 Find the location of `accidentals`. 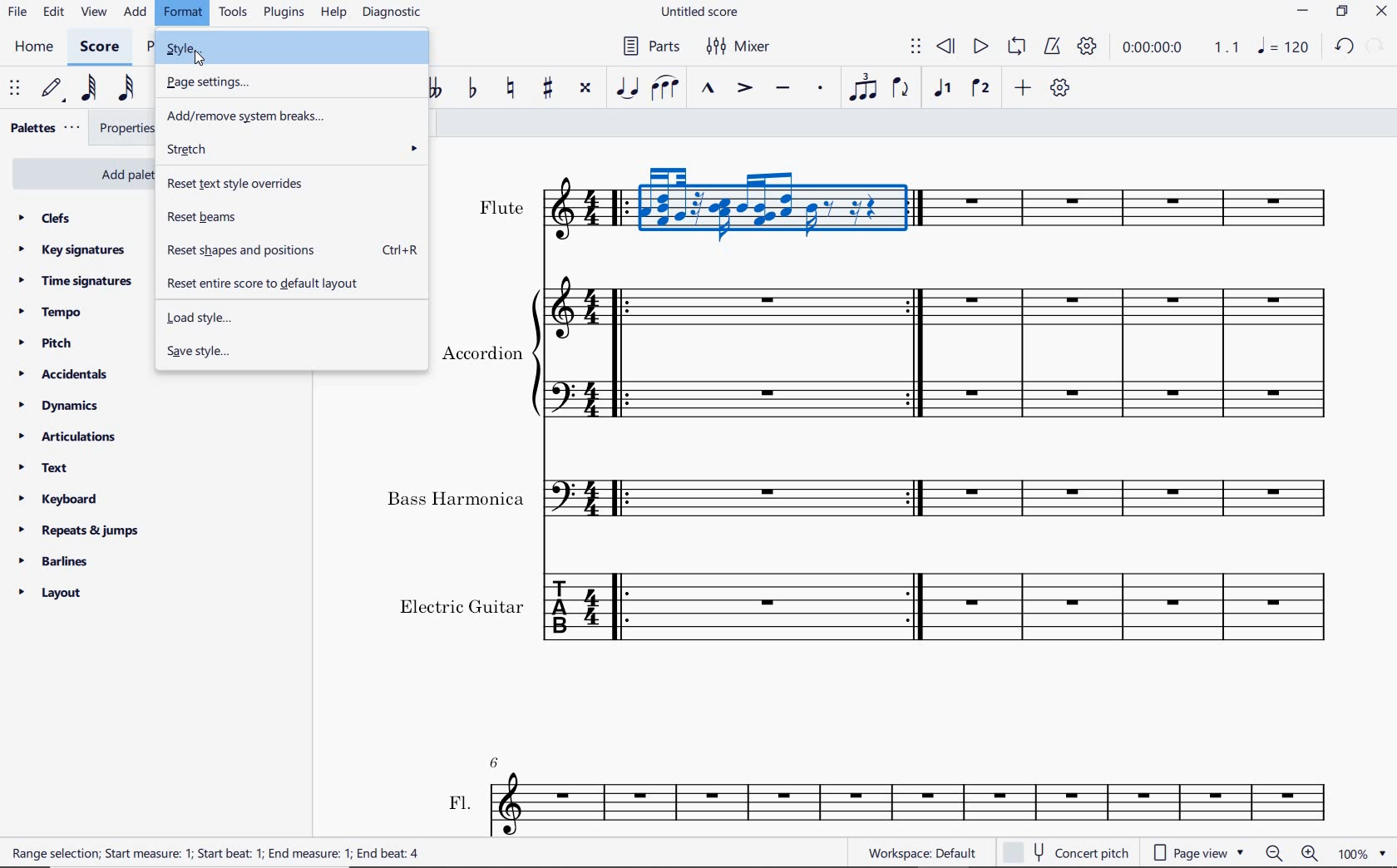

accidentals is located at coordinates (64, 374).